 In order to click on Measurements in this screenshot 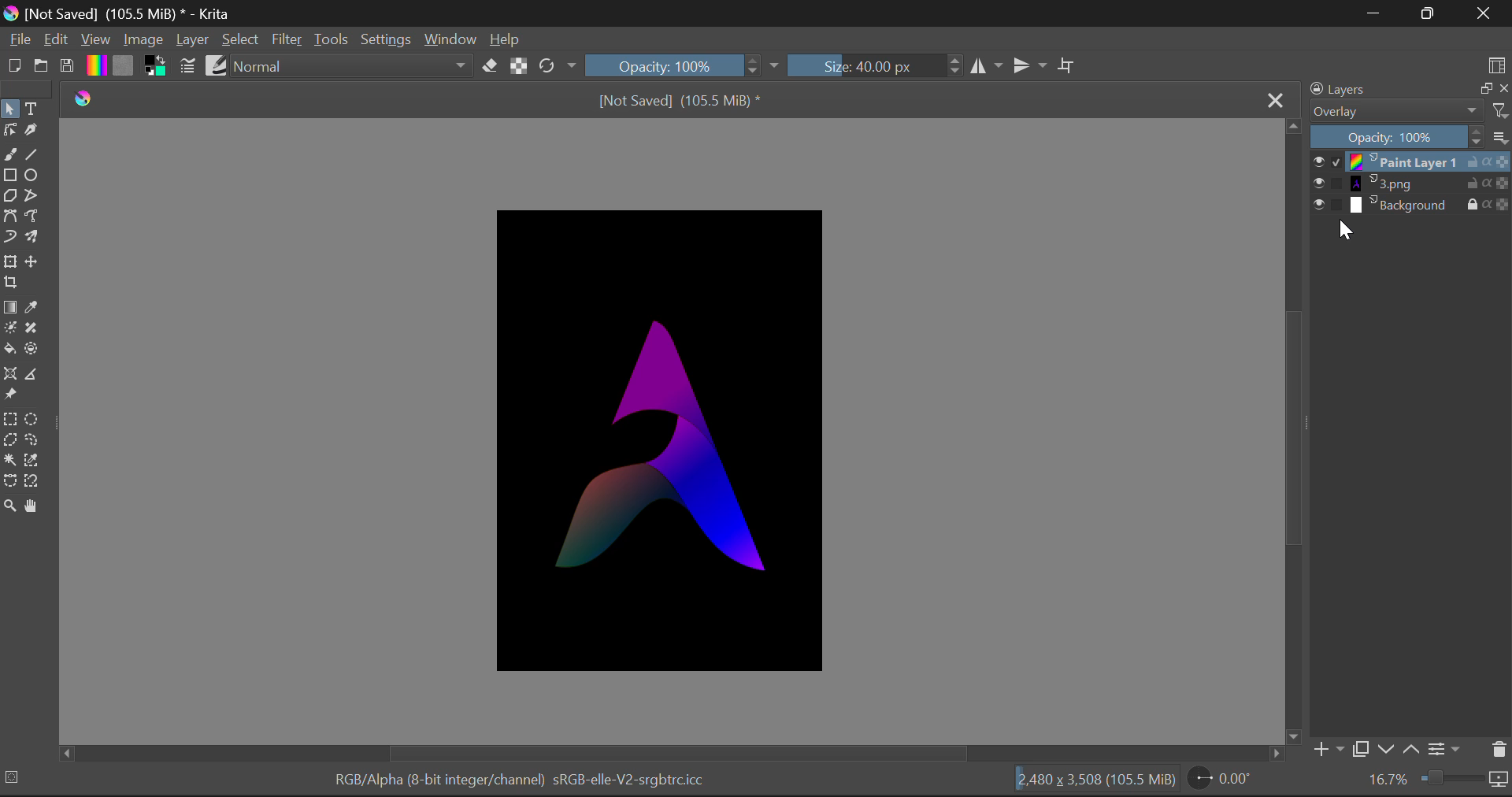, I will do `click(36, 374)`.